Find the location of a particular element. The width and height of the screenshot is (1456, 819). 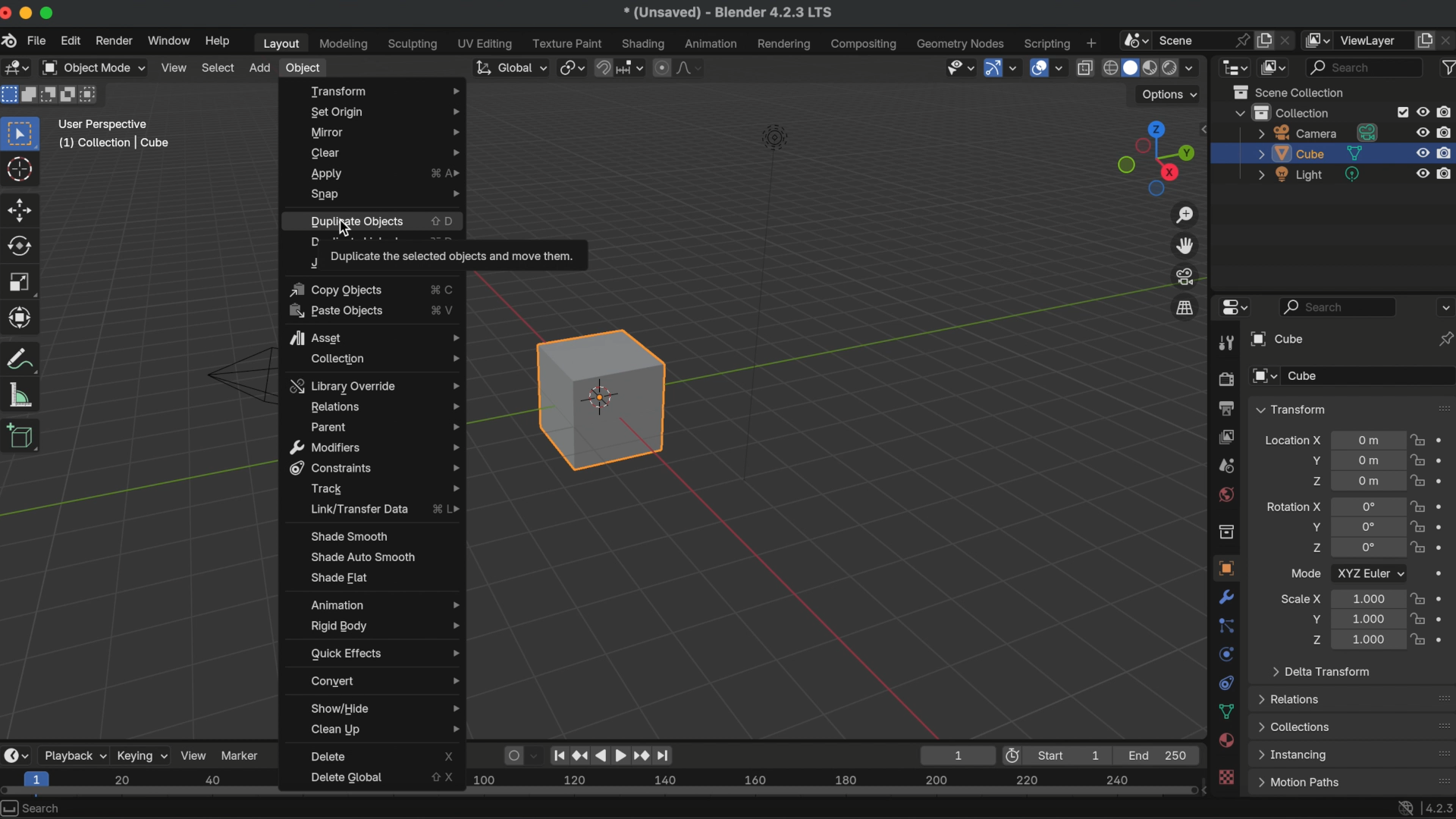

editor type is located at coordinates (15, 755).